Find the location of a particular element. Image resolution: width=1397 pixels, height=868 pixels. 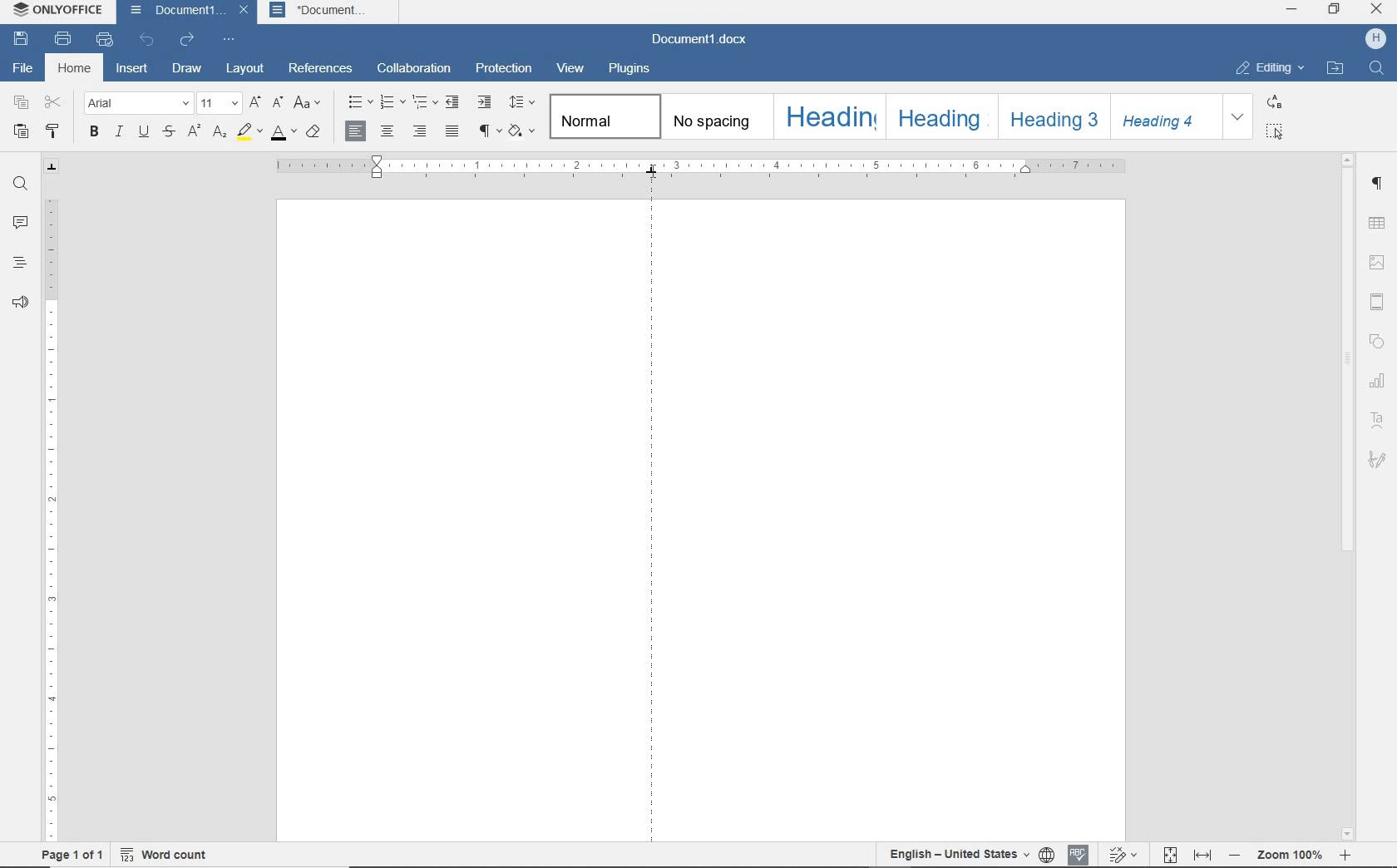

FIND is located at coordinates (21, 184).